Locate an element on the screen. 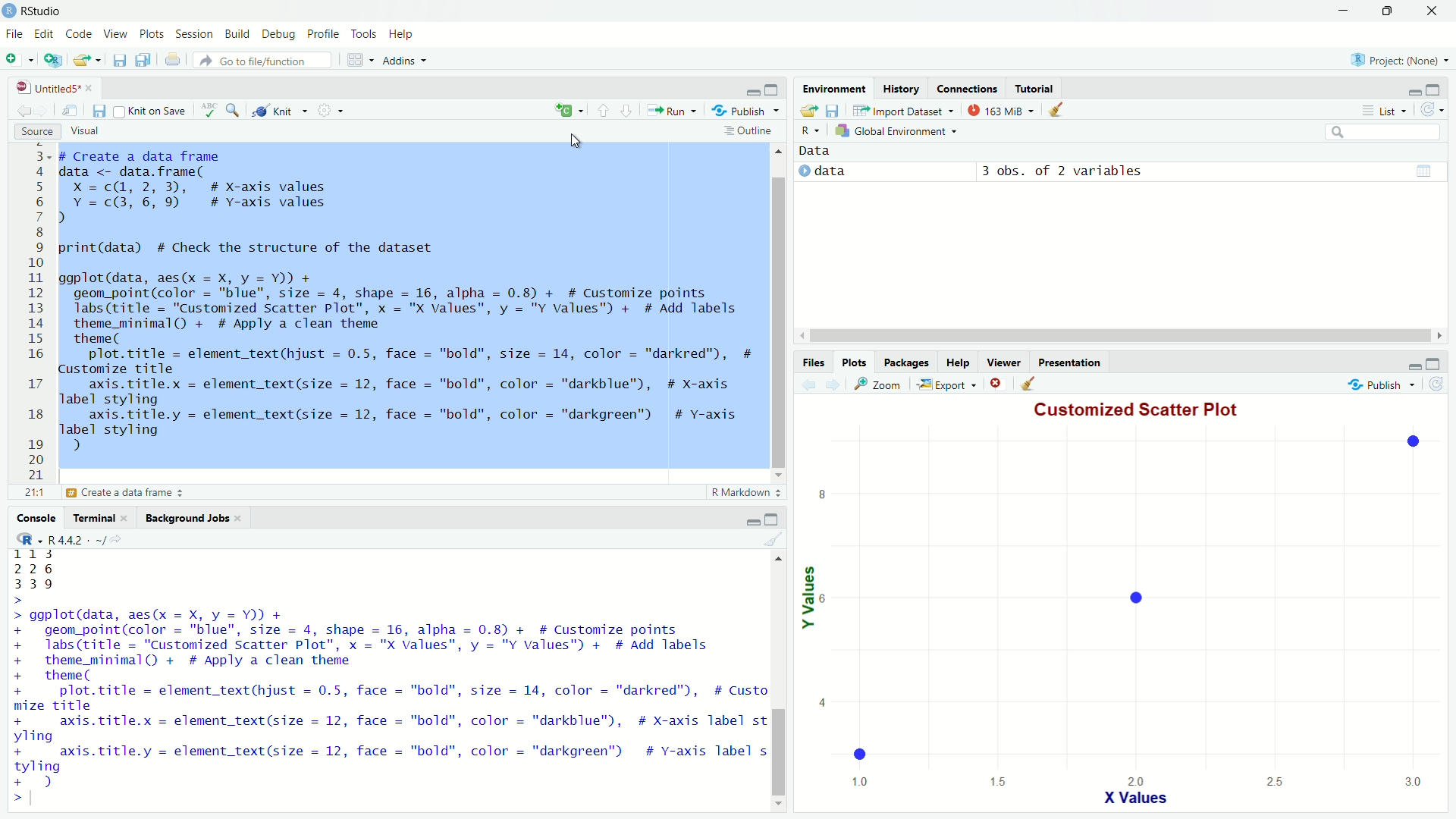  Publish is located at coordinates (746, 111).